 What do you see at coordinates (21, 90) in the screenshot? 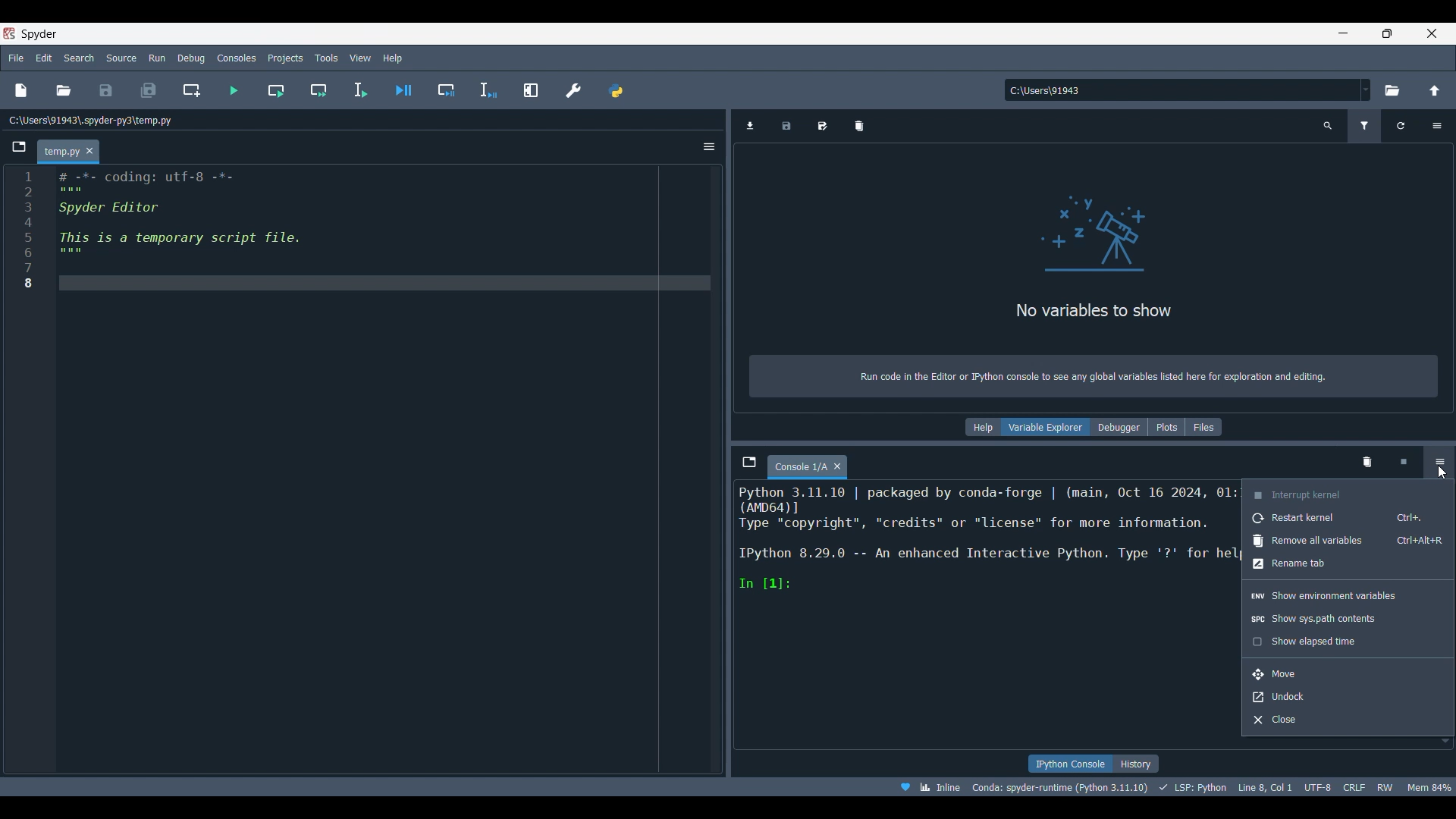
I see `New file` at bounding box center [21, 90].